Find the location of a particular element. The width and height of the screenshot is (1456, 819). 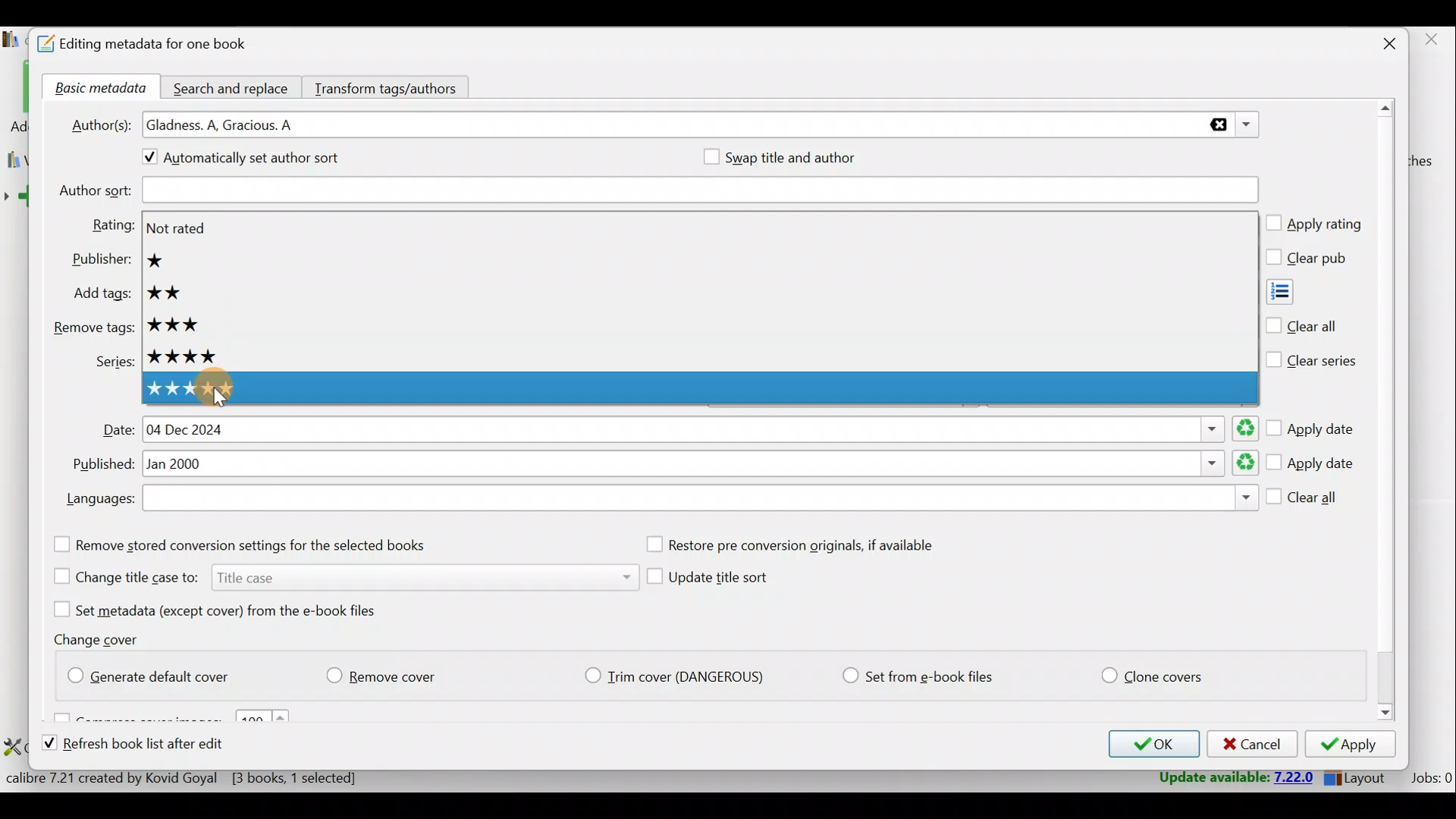

Series: is located at coordinates (114, 362).